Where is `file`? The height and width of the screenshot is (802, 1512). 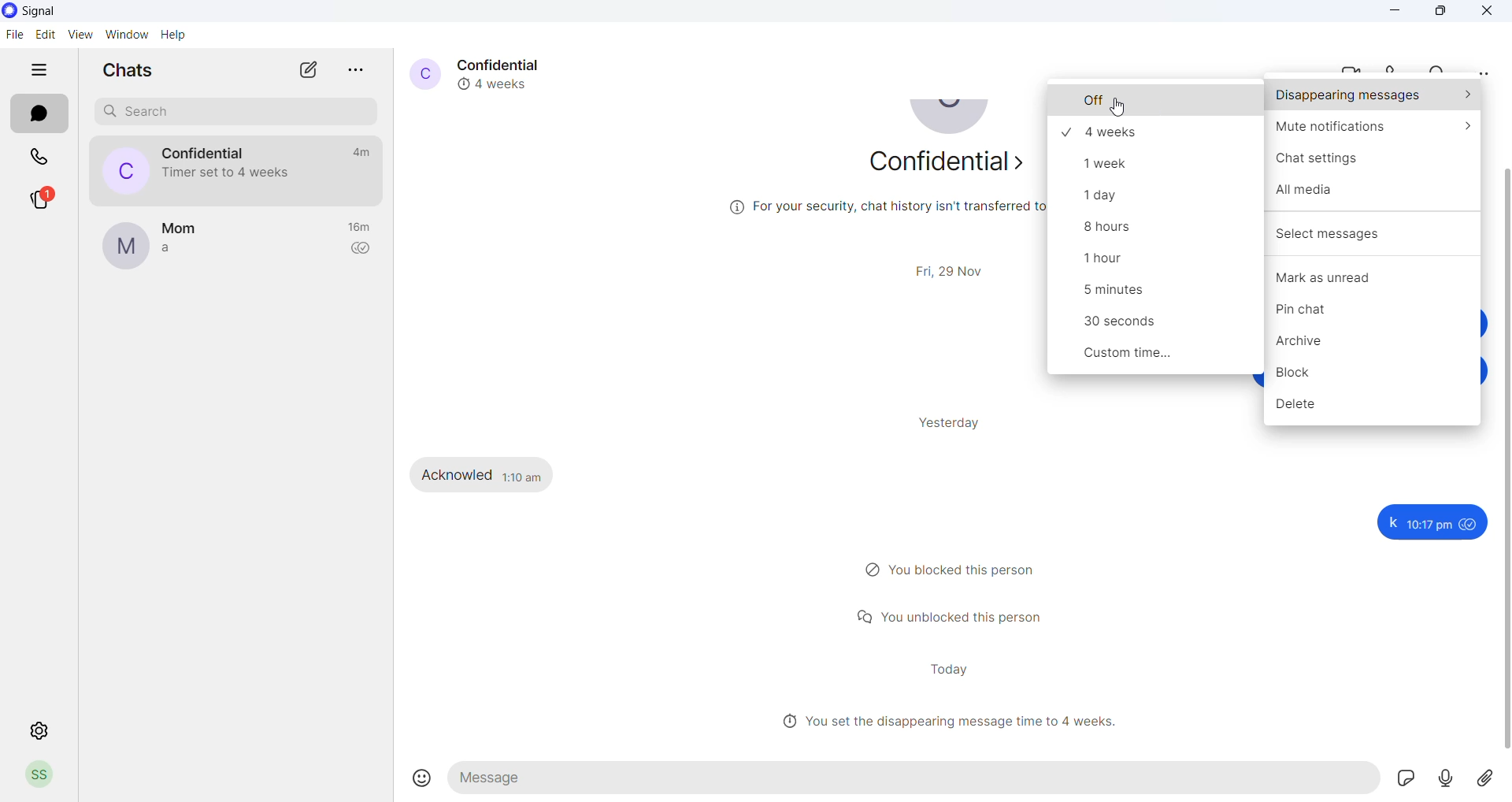
file is located at coordinates (14, 35).